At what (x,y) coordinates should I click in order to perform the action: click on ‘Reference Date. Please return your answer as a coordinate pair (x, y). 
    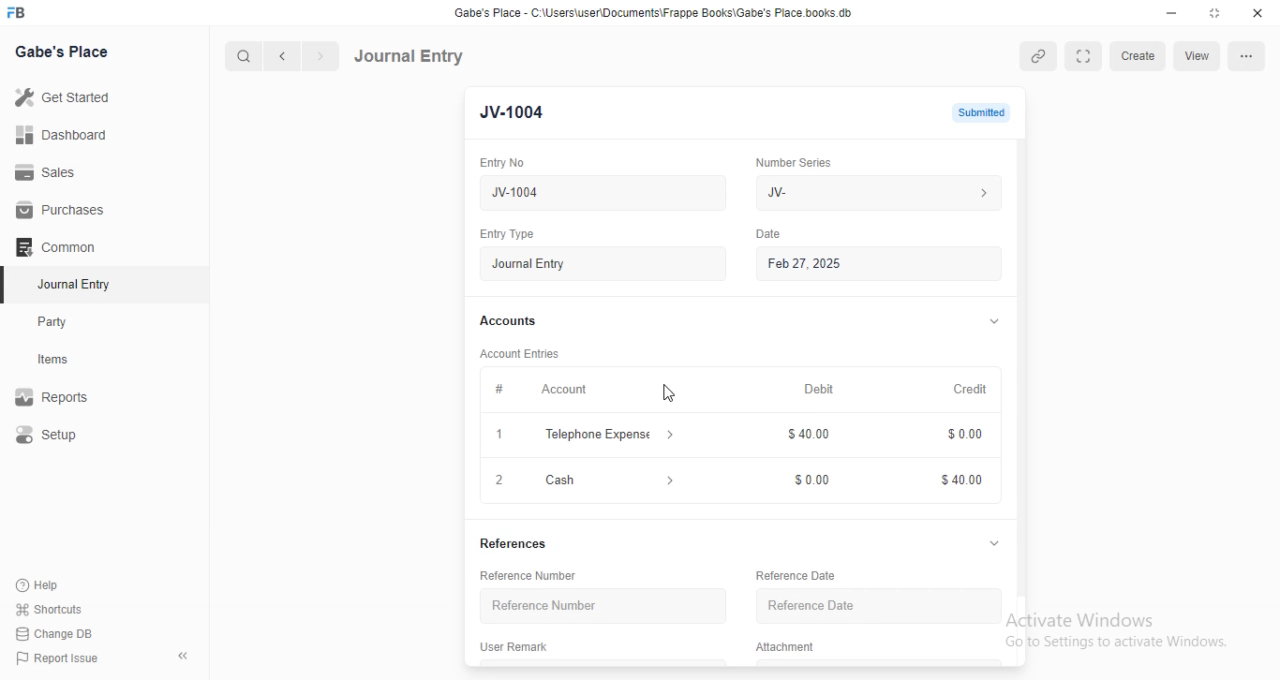
    Looking at the image, I should click on (797, 574).